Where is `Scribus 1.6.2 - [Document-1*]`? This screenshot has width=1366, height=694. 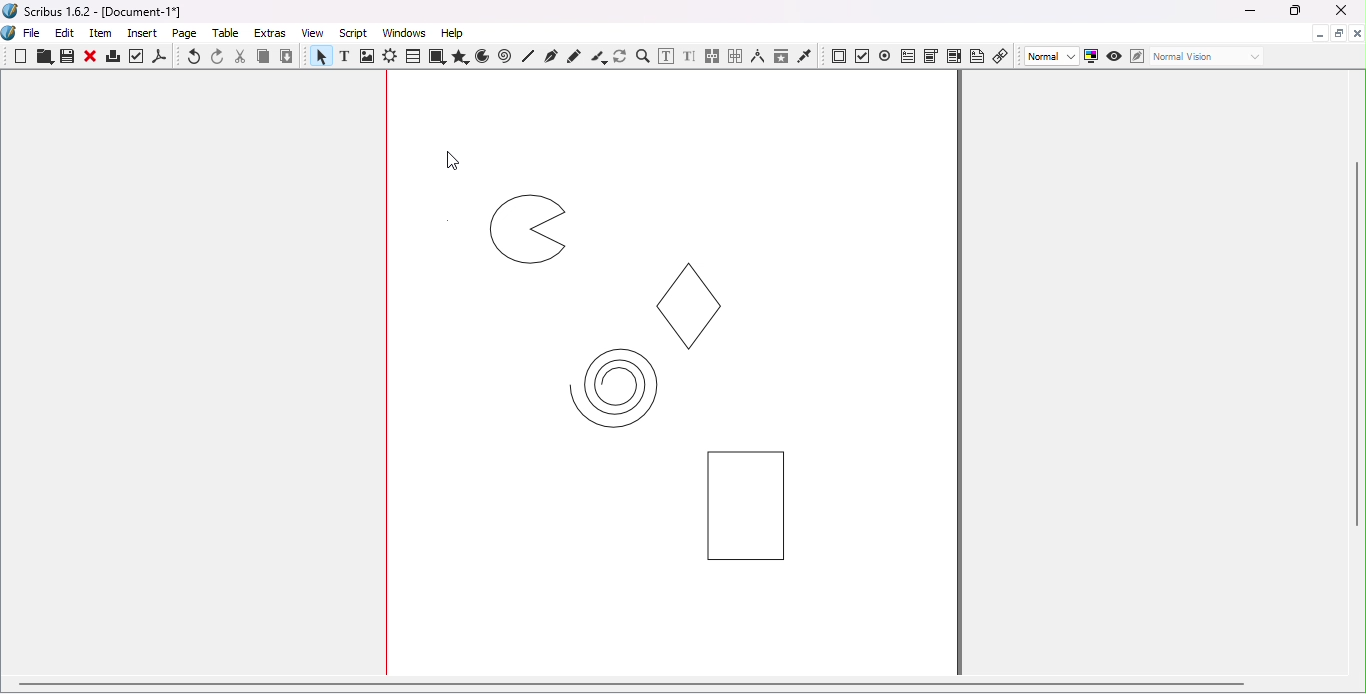
Scribus 1.6.2 - [Document-1*] is located at coordinates (101, 13).